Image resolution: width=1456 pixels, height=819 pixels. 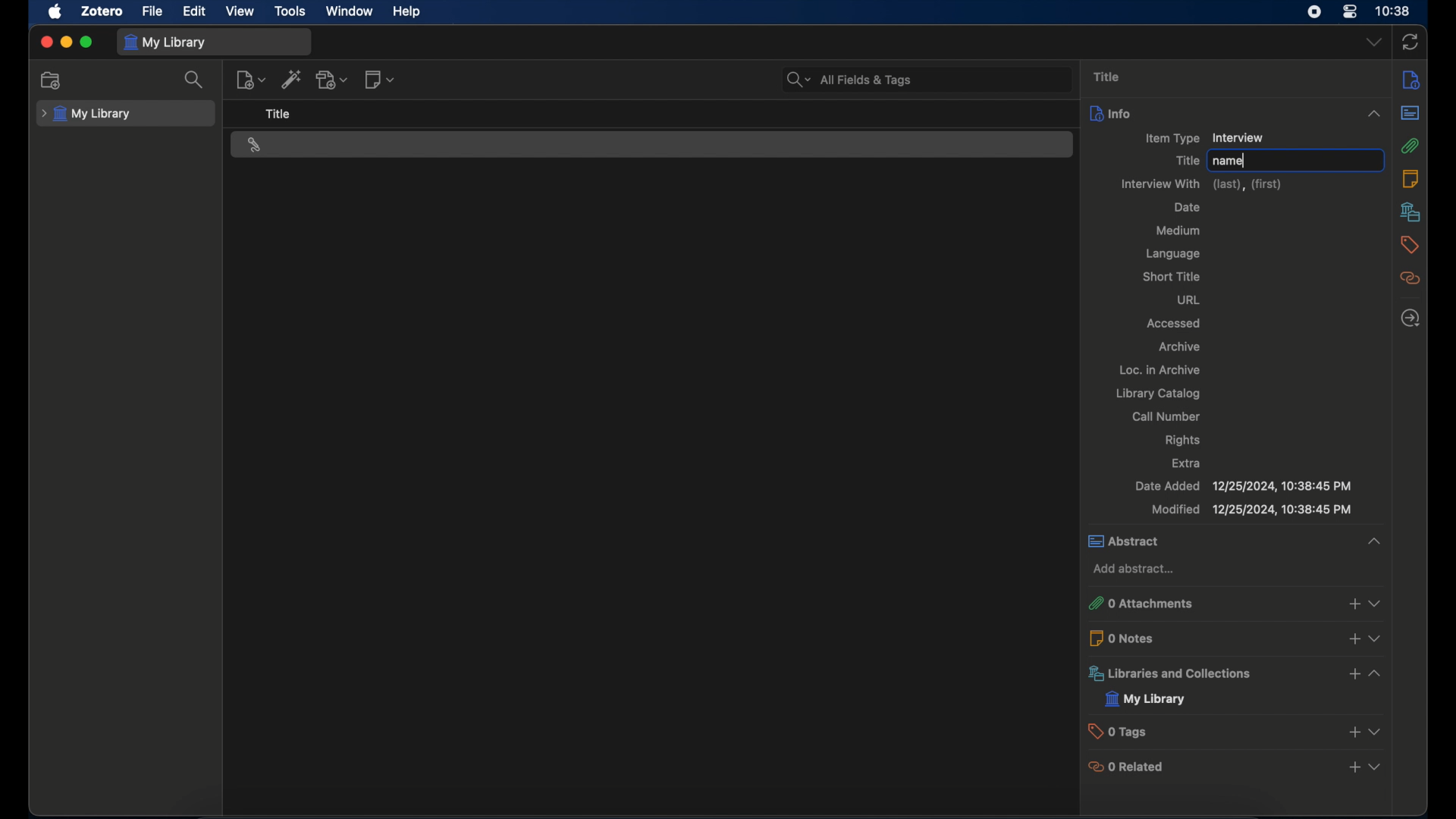 What do you see at coordinates (1394, 11) in the screenshot?
I see `time` at bounding box center [1394, 11].